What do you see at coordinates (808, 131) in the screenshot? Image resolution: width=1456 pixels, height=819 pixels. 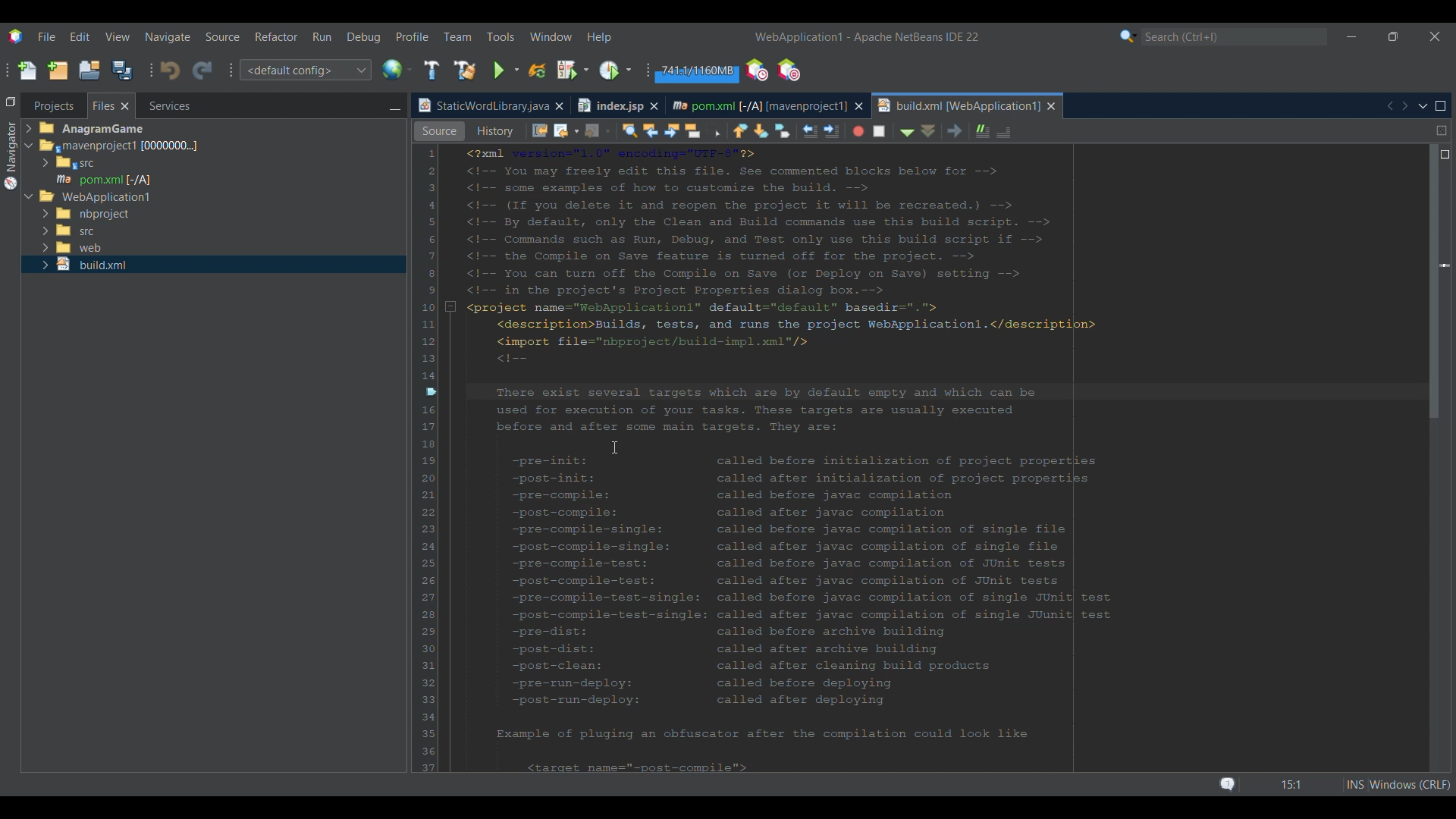 I see `Find next occurrence ` at bounding box center [808, 131].